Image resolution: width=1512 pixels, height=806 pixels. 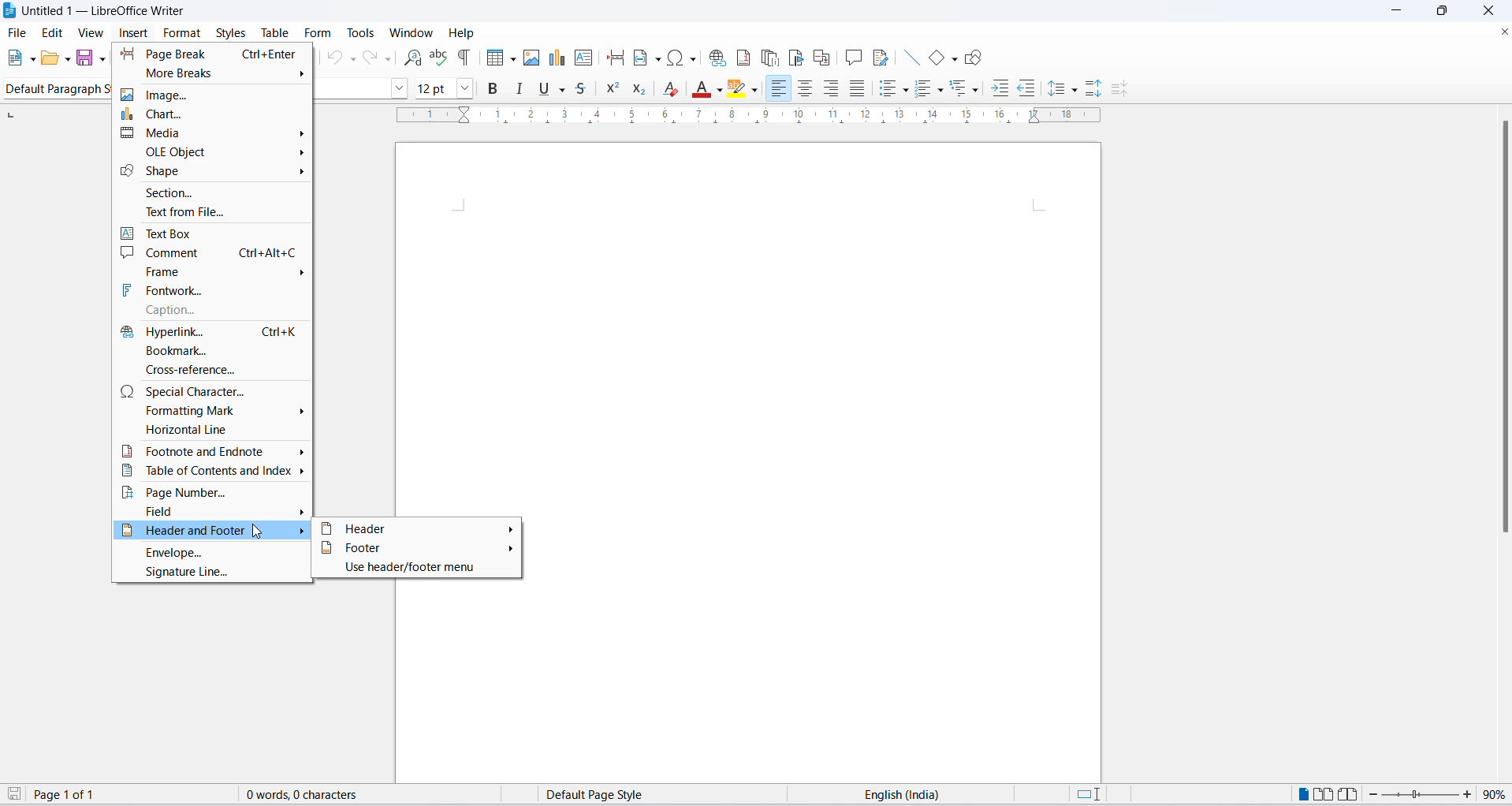 What do you see at coordinates (646, 91) in the screenshot?
I see `subscript` at bounding box center [646, 91].